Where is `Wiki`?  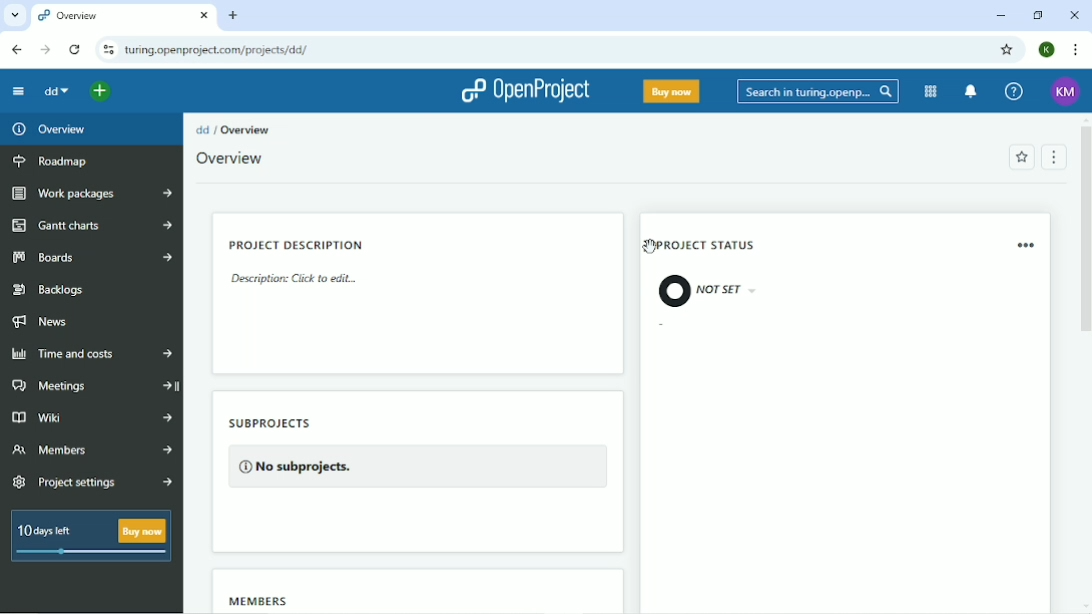 Wiki is located at coordinates (90, 419).